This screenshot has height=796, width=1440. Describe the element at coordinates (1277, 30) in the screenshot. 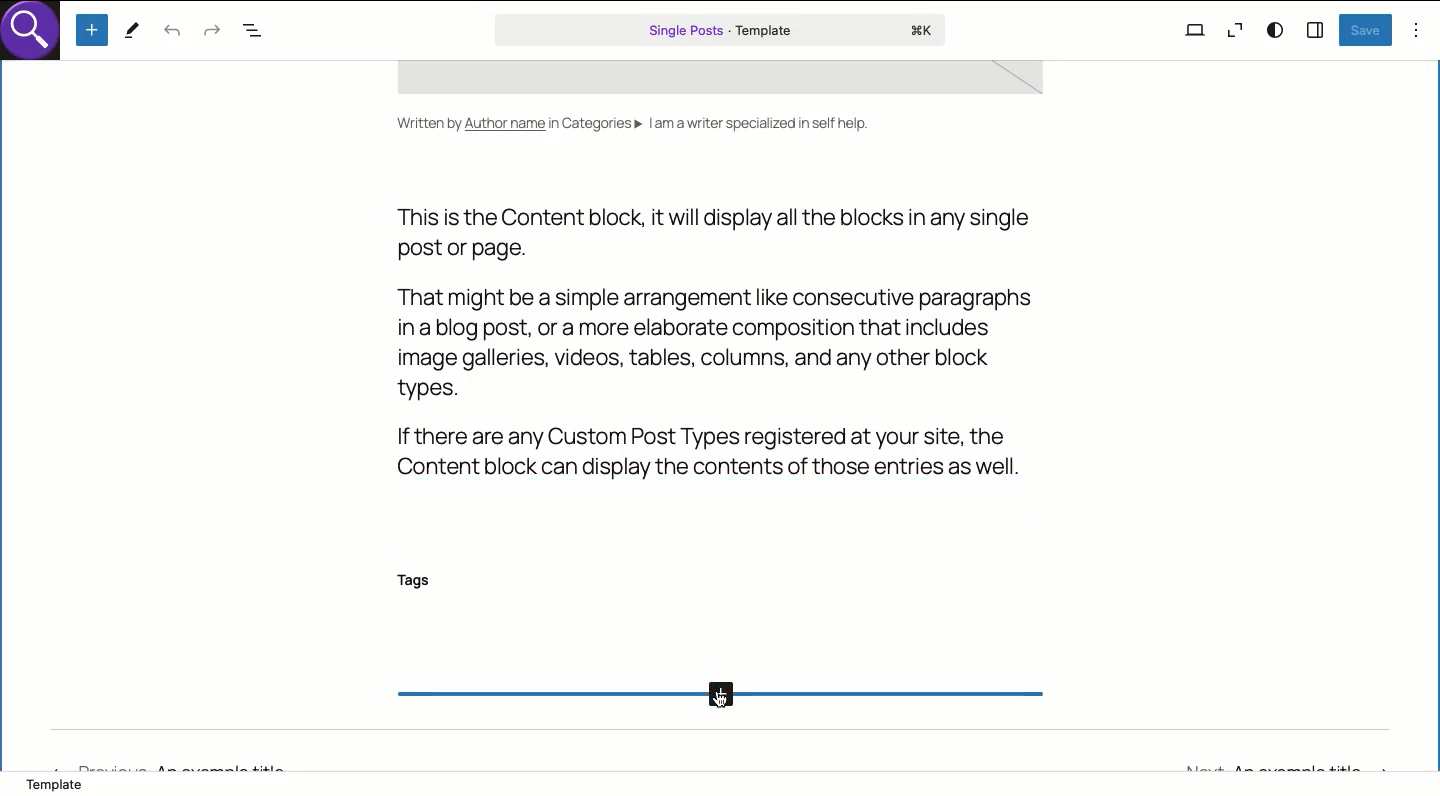

I see `Style` at that location.